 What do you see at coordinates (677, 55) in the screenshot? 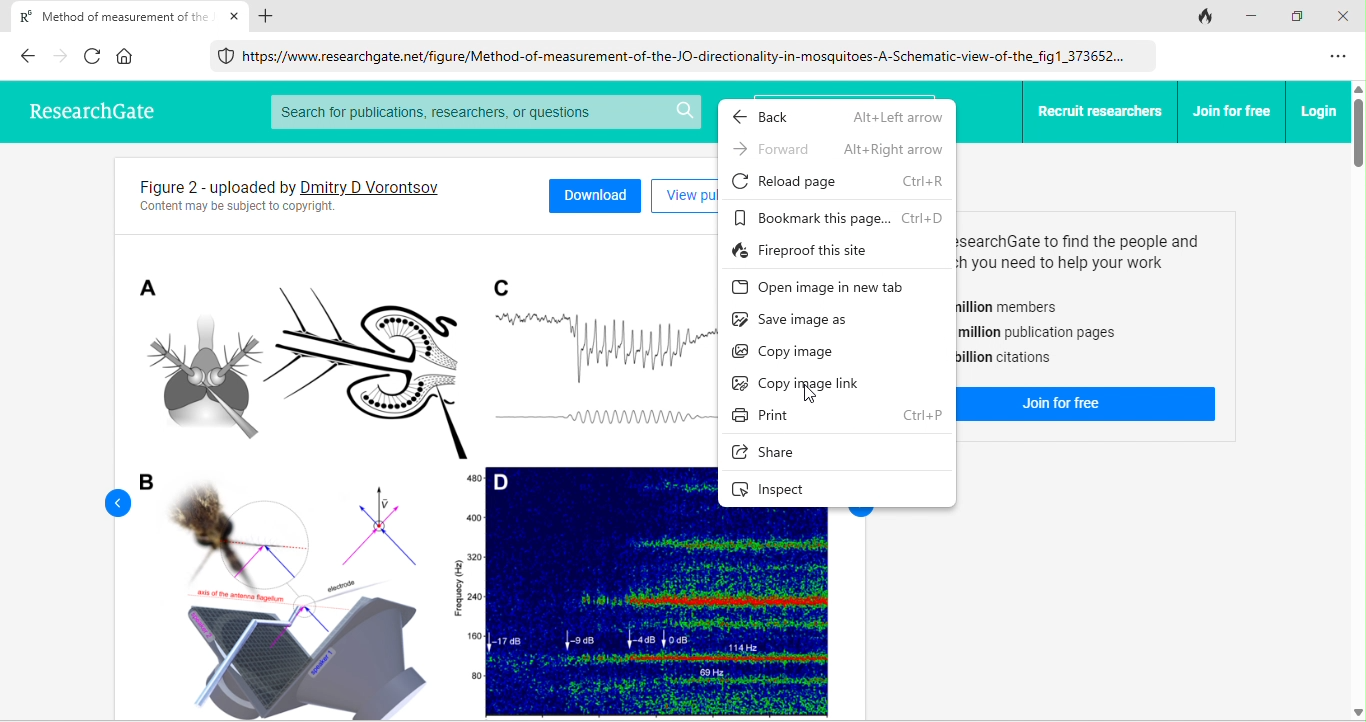
I see `https web link` at bounding box center [677, 55].